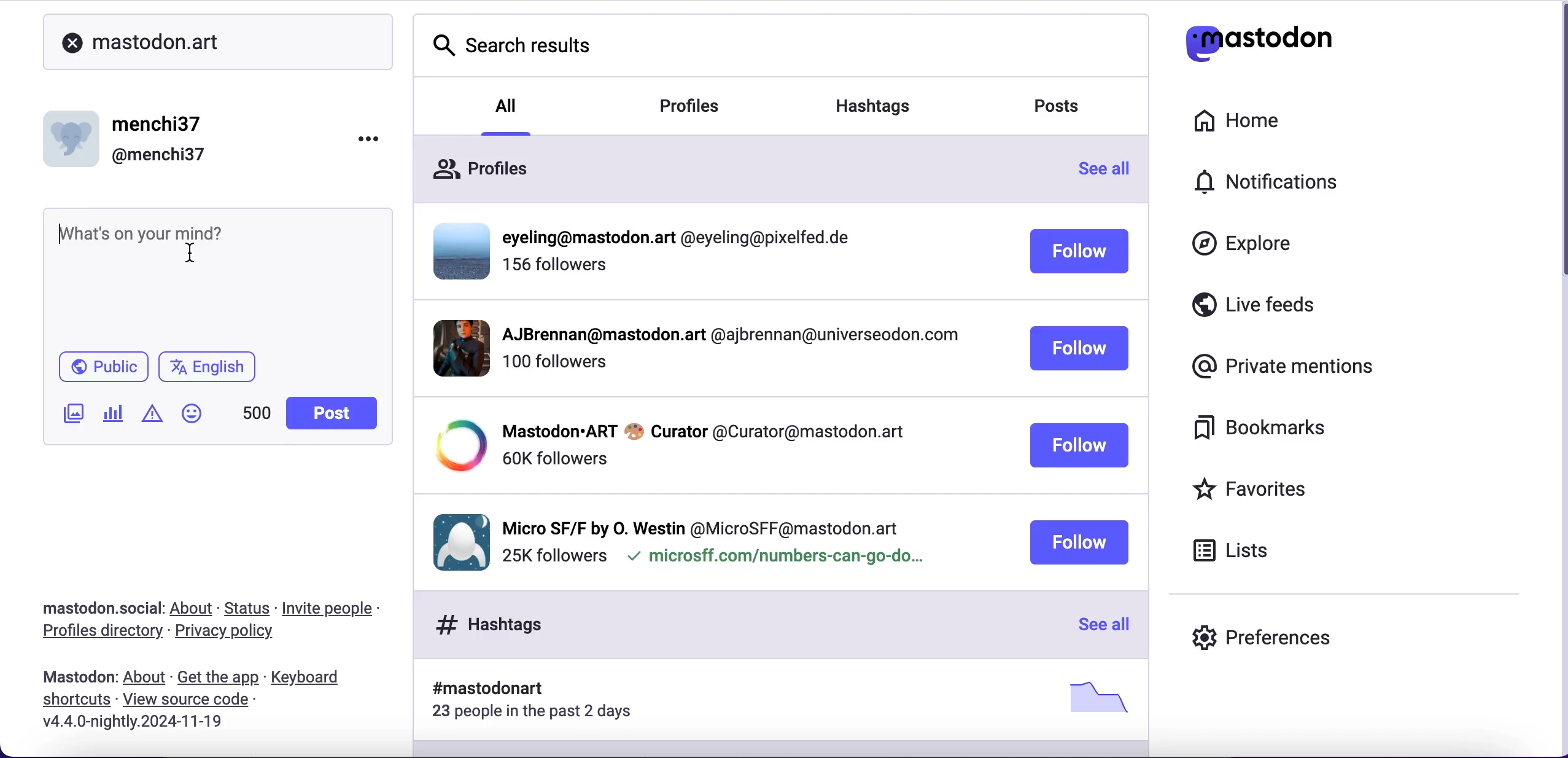 This screenshot has height=758, width=1568. What do you see at coordinates (1254, 427) in the screenshot?
I see `bookmarks` at bounding box center [1254, 427].